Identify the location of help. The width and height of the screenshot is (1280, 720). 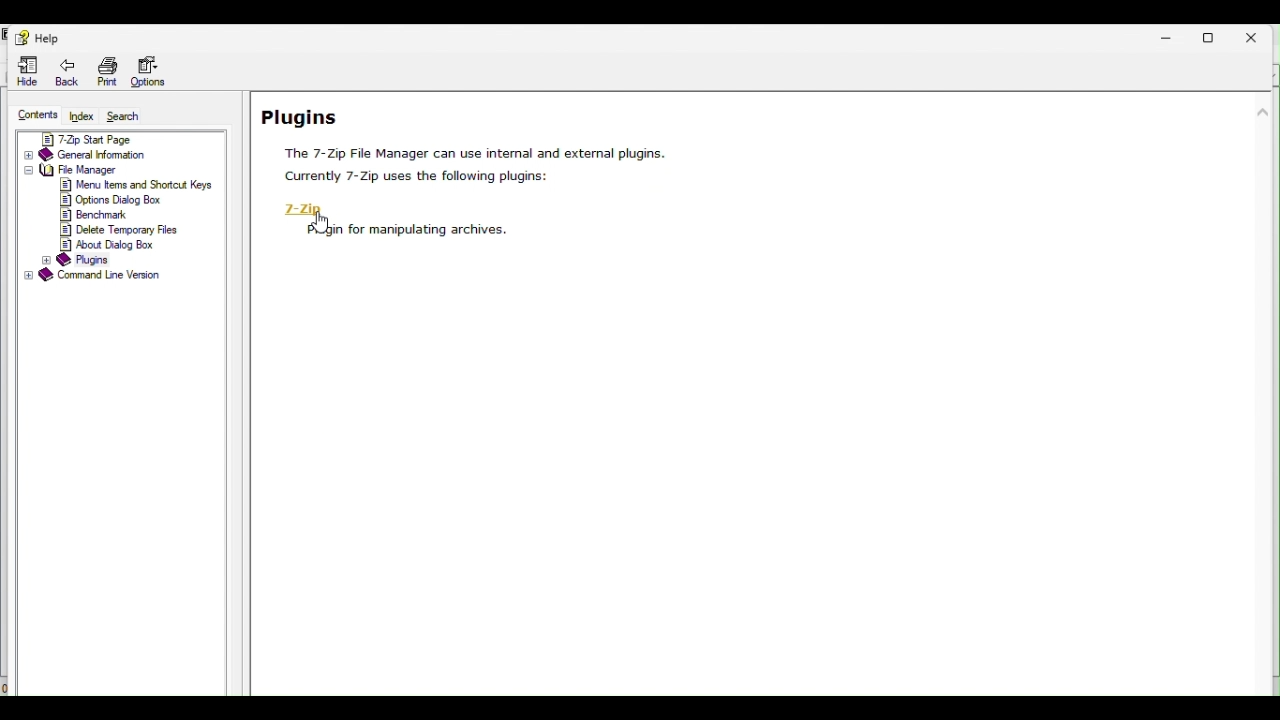
(34, 35).